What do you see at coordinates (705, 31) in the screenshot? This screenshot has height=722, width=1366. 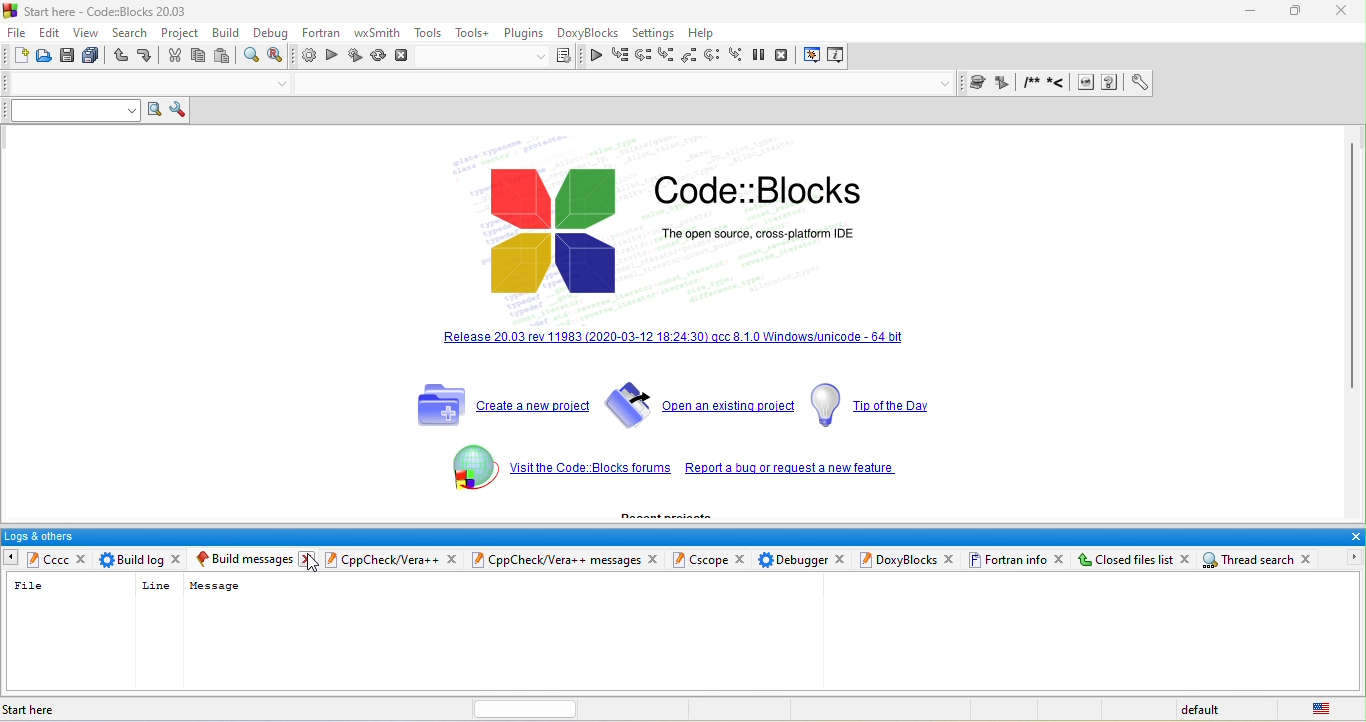 I see `help` at bounding box center [705, 31].